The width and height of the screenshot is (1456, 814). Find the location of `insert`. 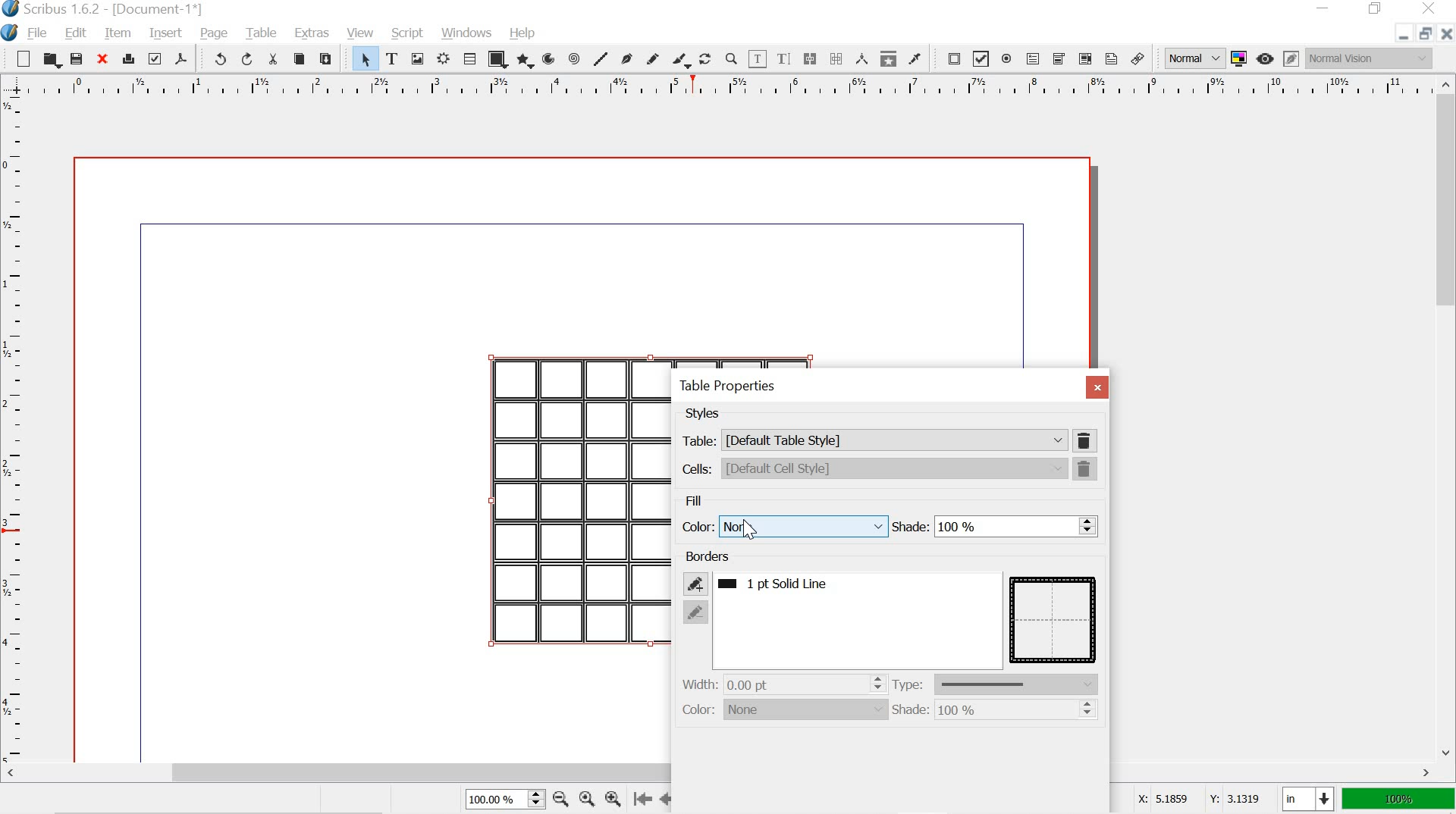

insert is located at coordinates (165, 31).